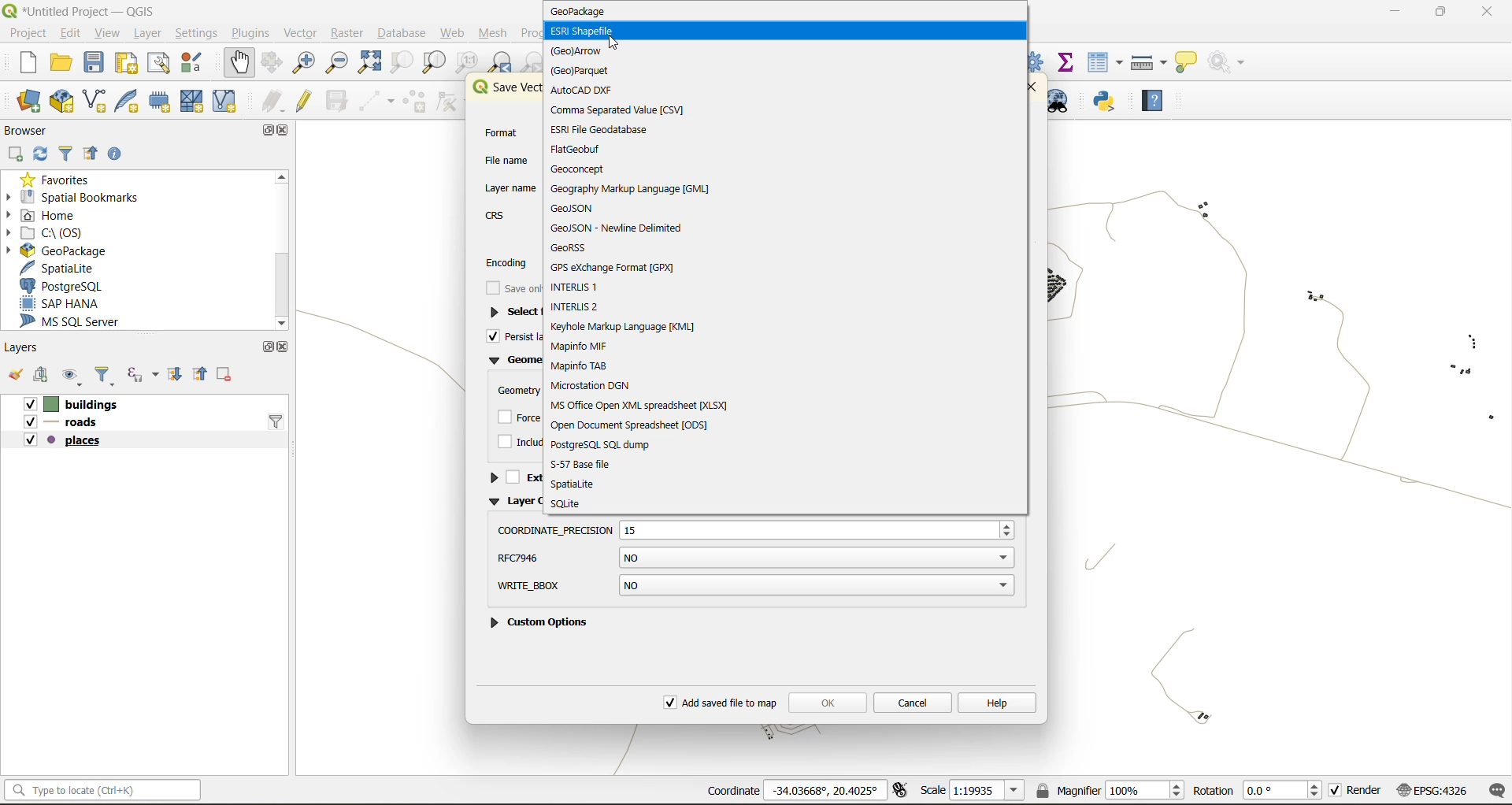 This screenshot has height=805, width=1512. Describe the element at coordinates (795, 790) in the screenshot. I see `coordinates` at that location.